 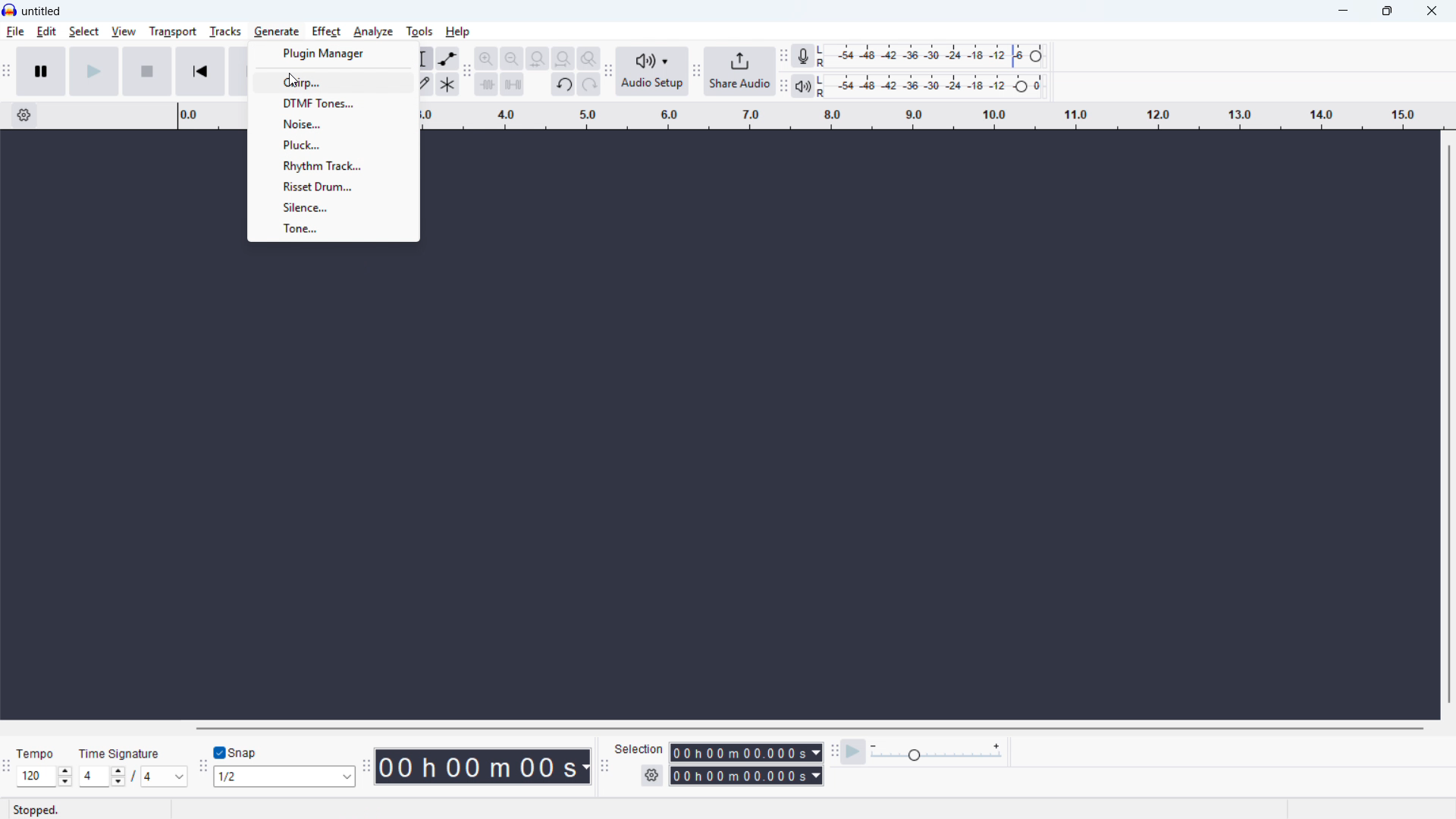 I want to click on Pause , so click(x=41, y=70).